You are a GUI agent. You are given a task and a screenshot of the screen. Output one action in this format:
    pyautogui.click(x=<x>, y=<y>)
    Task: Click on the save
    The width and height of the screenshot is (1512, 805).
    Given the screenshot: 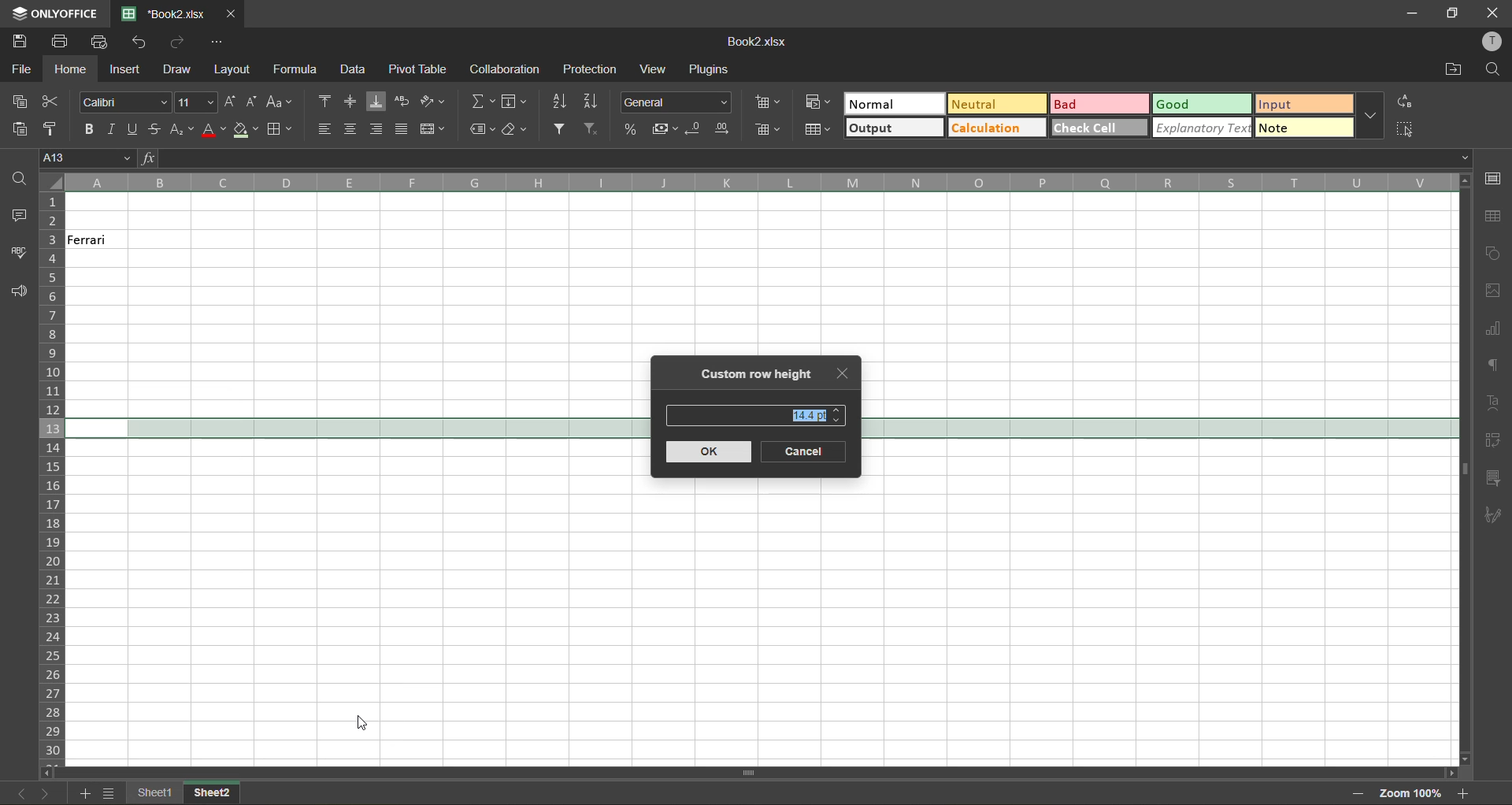 What is the action you would take?
    pyautogui.click(x=18, y=42)
    